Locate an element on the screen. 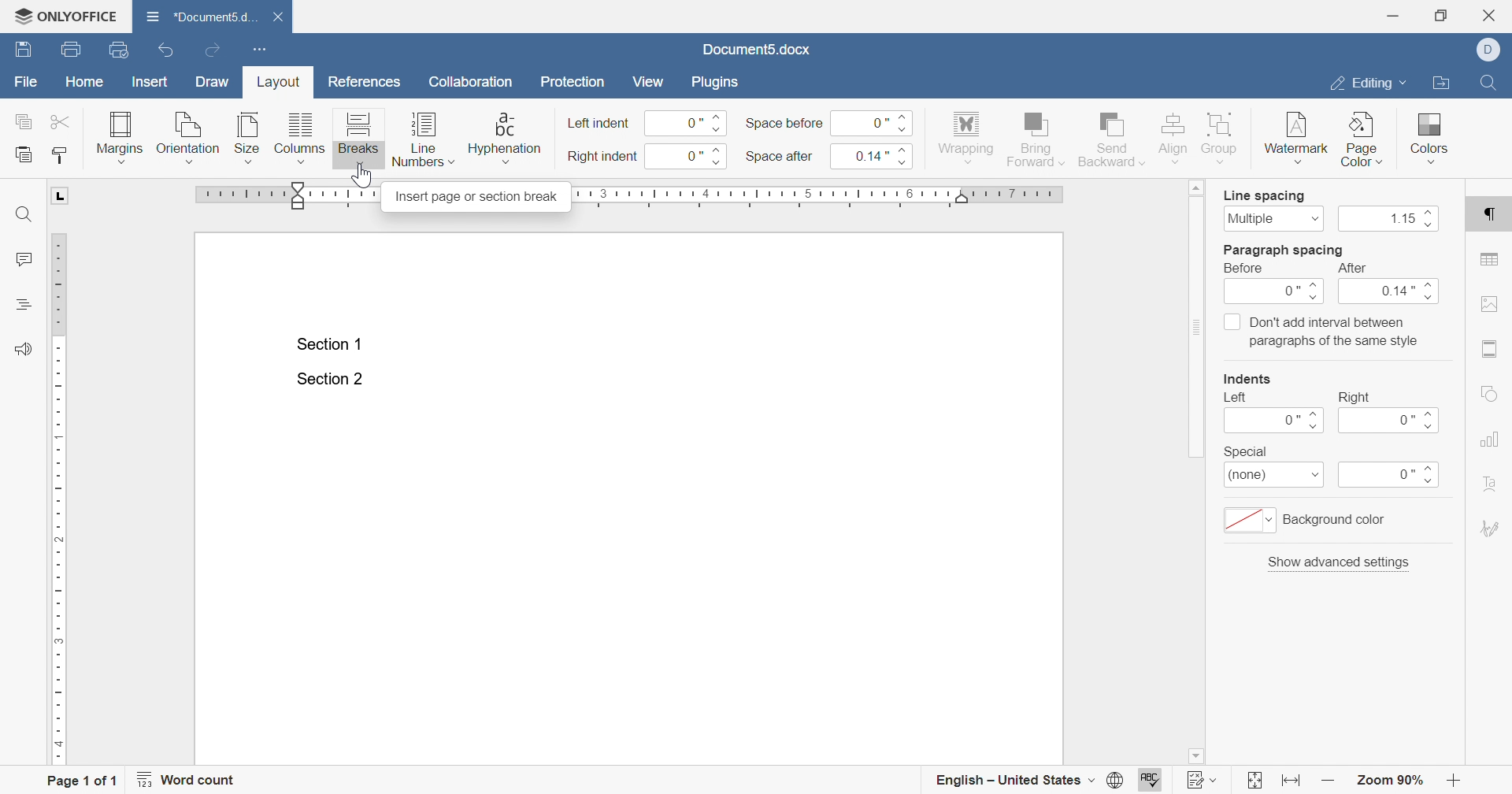  save is located at coordinates (23, 49).